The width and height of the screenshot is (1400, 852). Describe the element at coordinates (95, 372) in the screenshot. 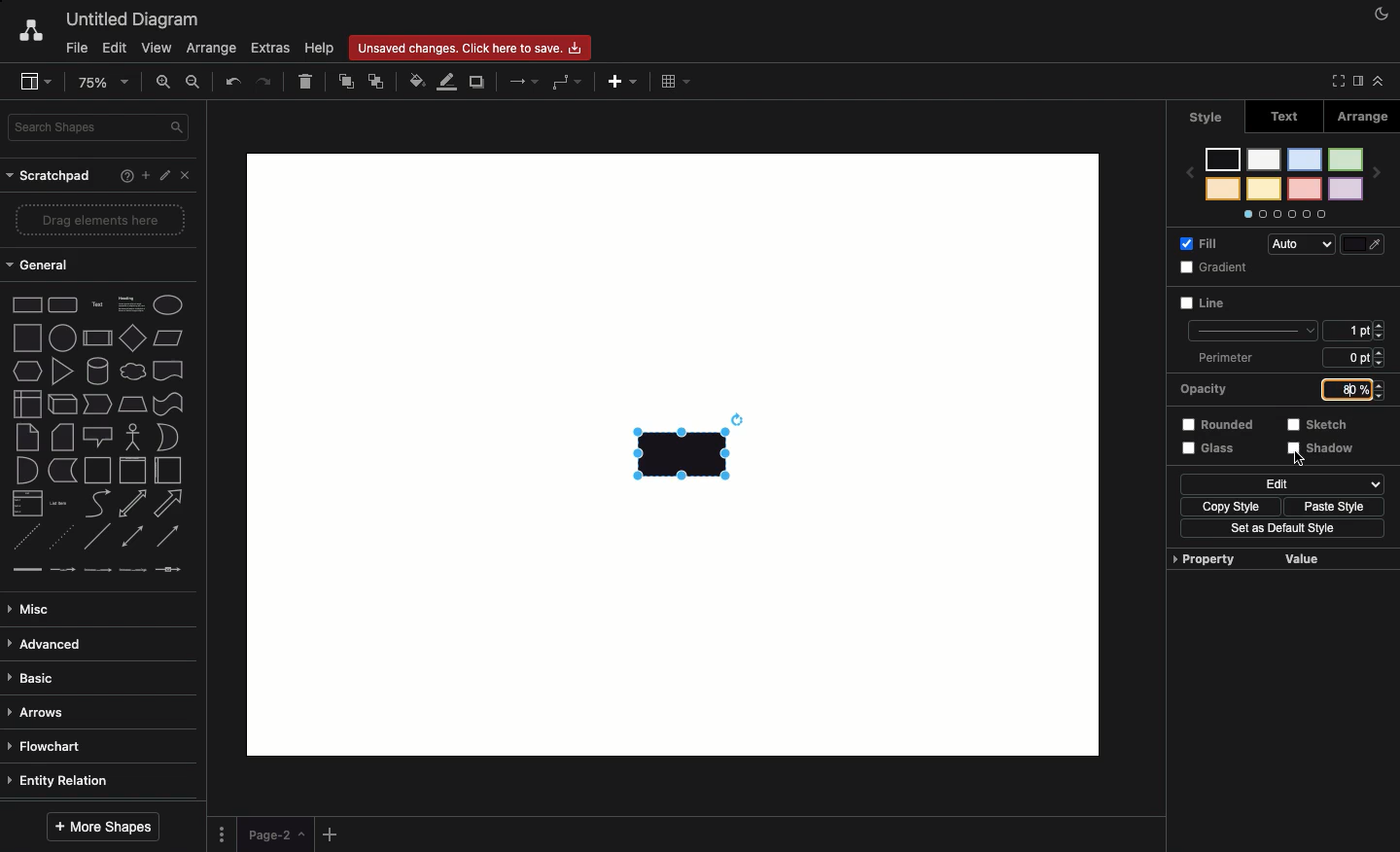

I see `cylinder` at that location.